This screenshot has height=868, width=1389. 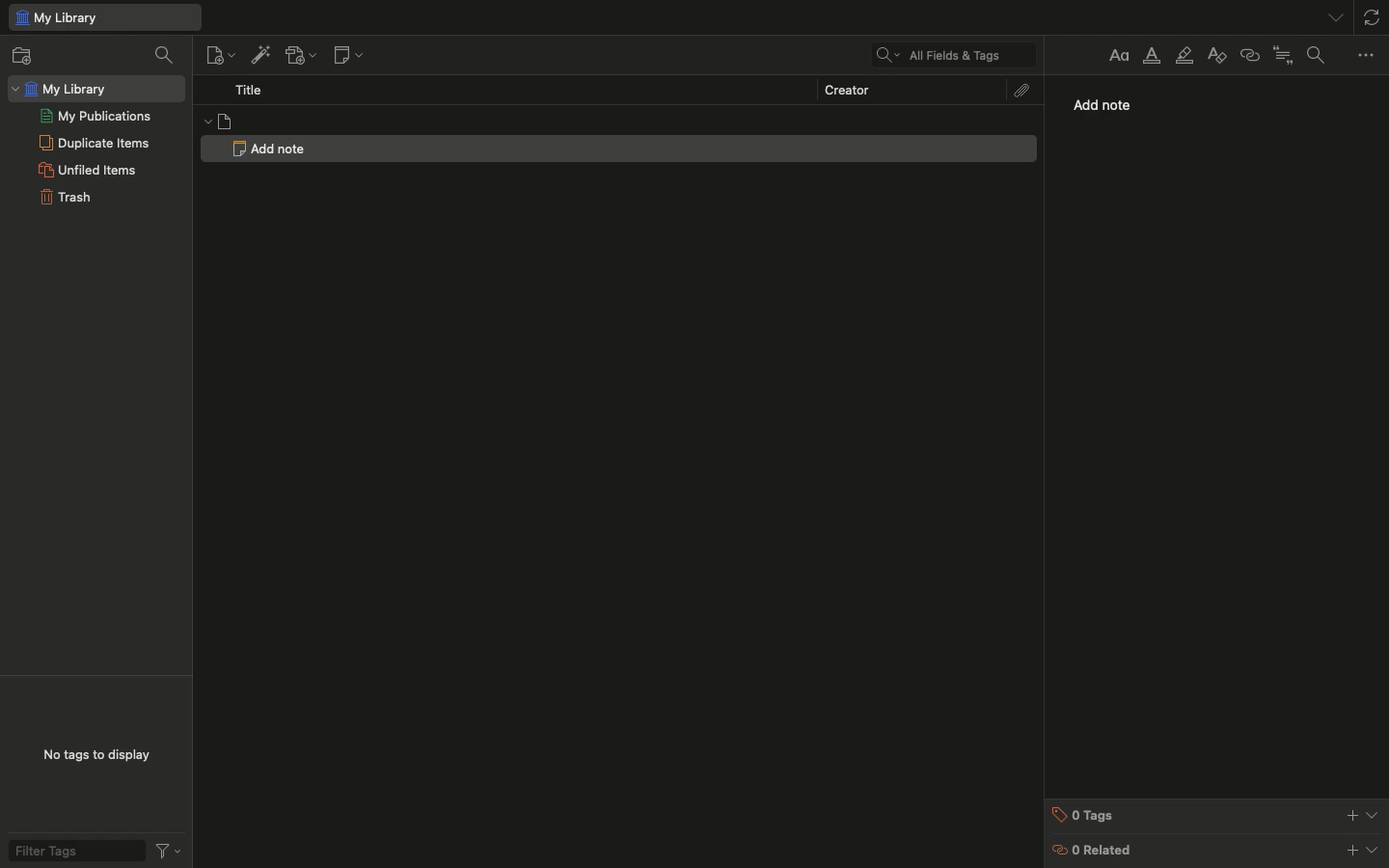 I want to click on tags, so click(x=1217, y=814).